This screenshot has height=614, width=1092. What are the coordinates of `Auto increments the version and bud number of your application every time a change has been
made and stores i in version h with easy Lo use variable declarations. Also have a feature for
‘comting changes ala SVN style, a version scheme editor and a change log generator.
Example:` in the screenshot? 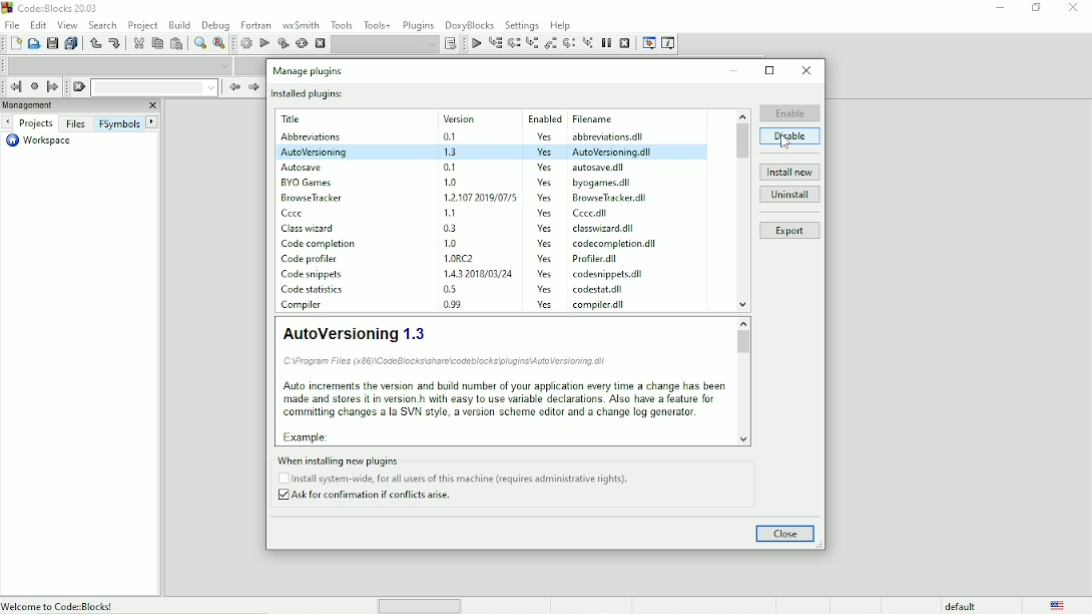 It's located at (504, 411).